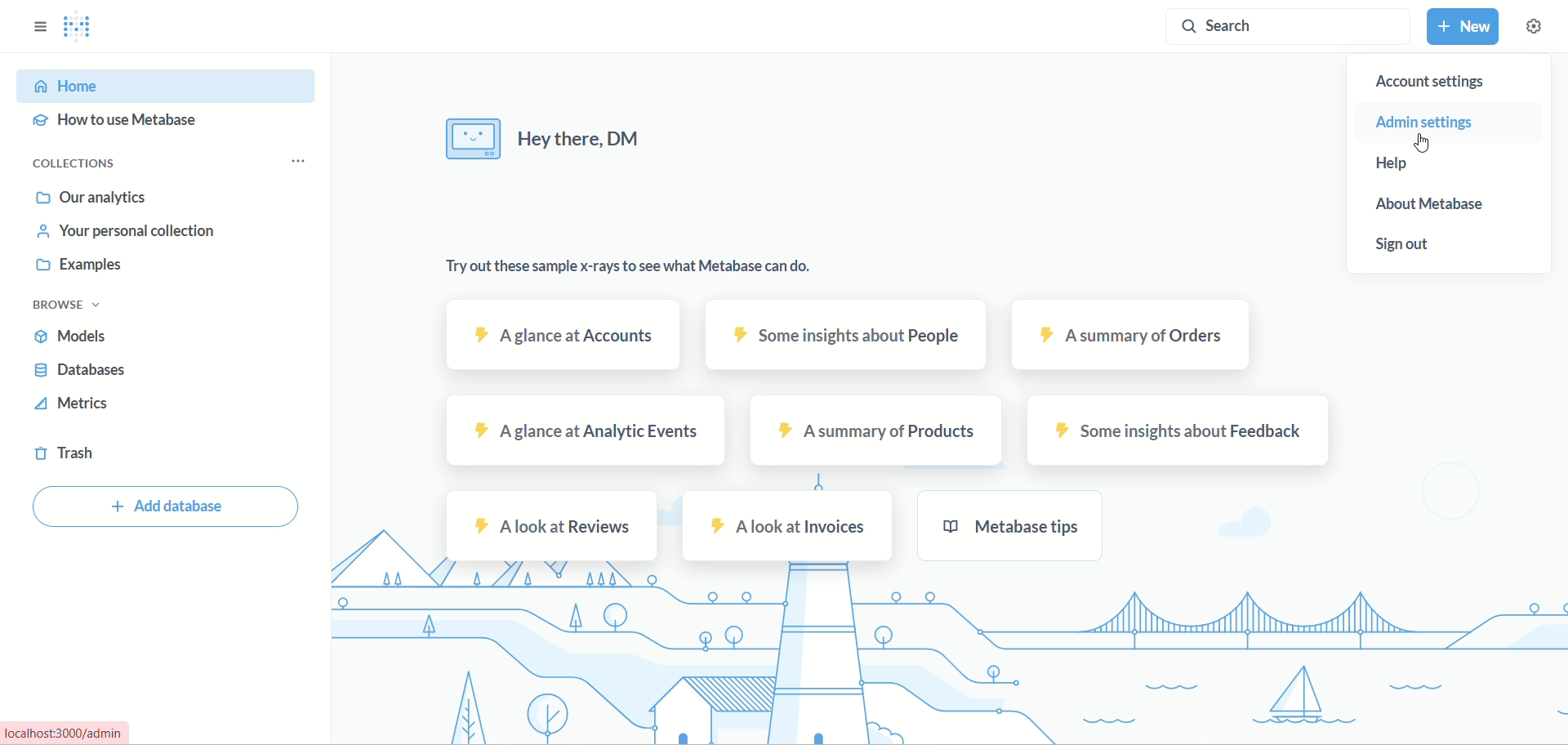 The width and height of the screenshot is (1568, 745). Describe the element at coordinates (847, 334) in the screenshot. I see `people` at that location.